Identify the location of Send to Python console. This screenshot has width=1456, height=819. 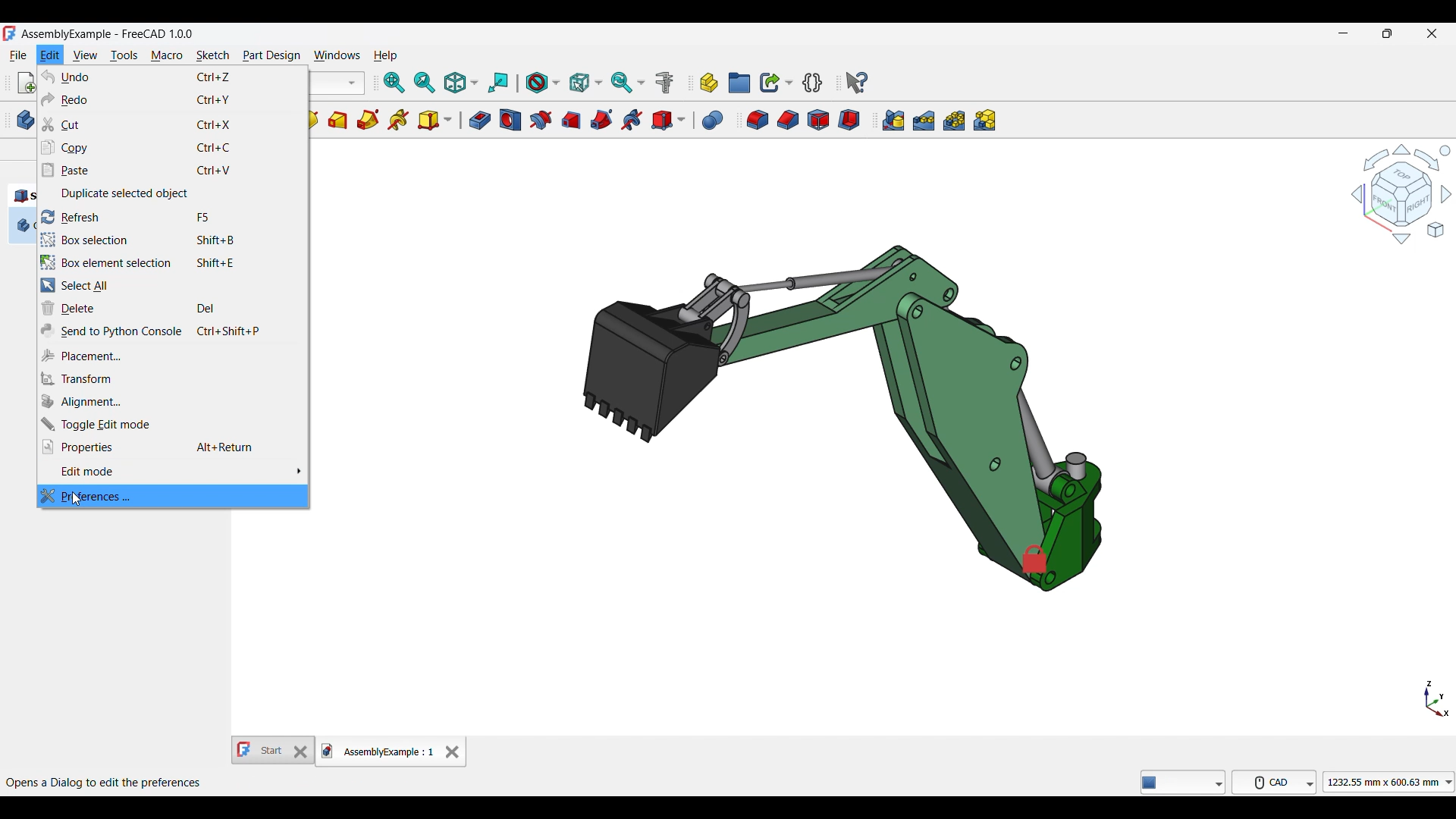
(172, 331).